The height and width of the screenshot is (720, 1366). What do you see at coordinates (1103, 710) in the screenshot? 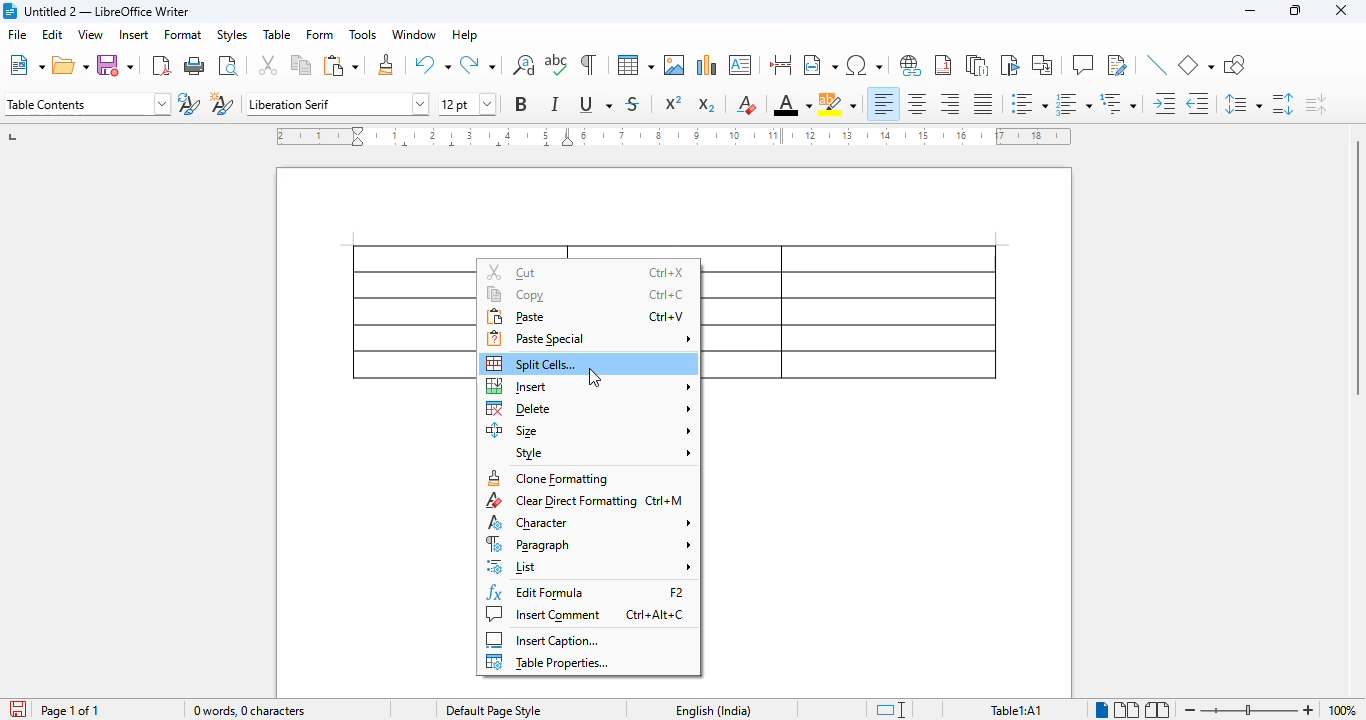
I see `single-page view` at bounding box center [1103, 710].